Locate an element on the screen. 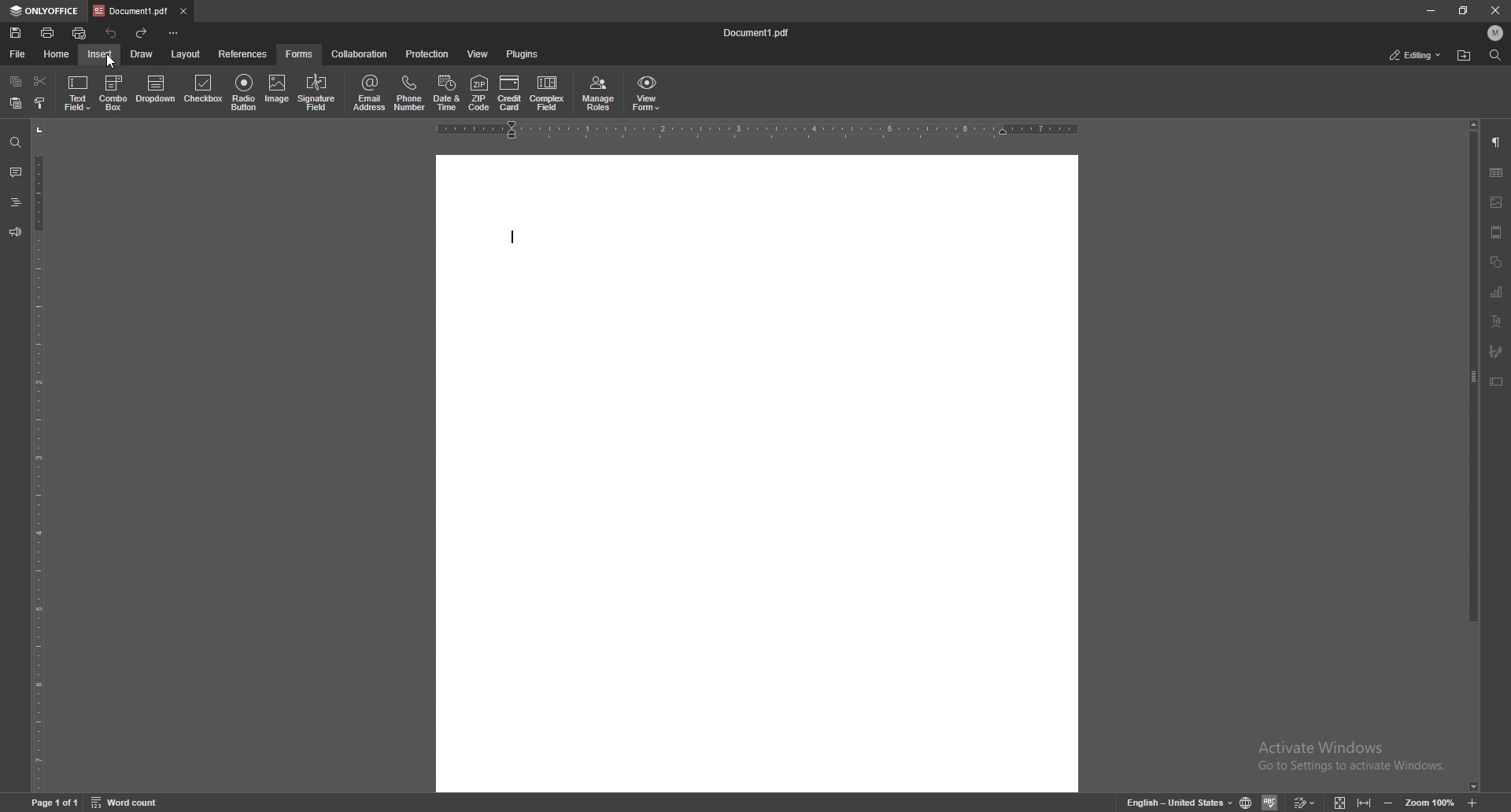  change doc language is located at coordinates (1247, 803).